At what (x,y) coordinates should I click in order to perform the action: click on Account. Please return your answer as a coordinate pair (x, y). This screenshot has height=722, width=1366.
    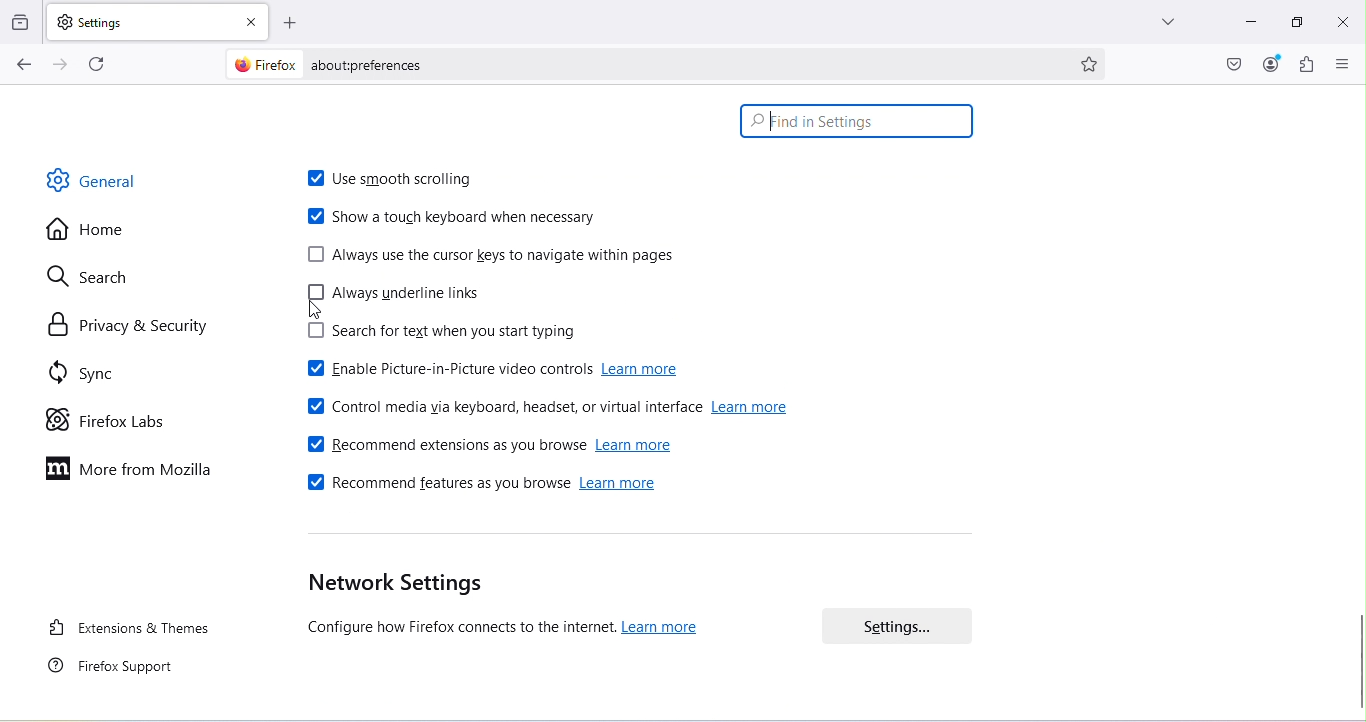
    Looking at the image, I should click on (1271, 65).